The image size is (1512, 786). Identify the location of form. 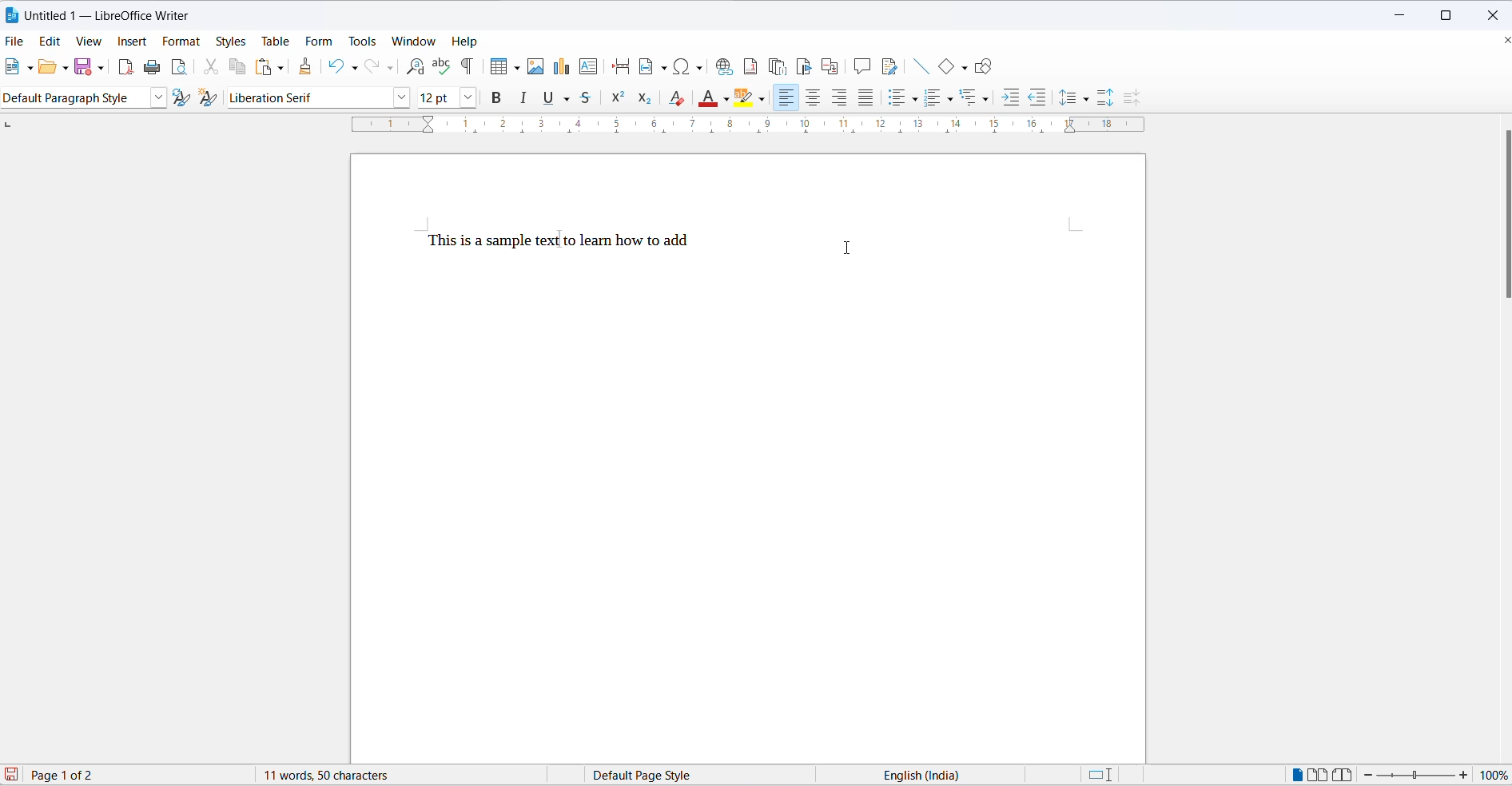
(321, 39).